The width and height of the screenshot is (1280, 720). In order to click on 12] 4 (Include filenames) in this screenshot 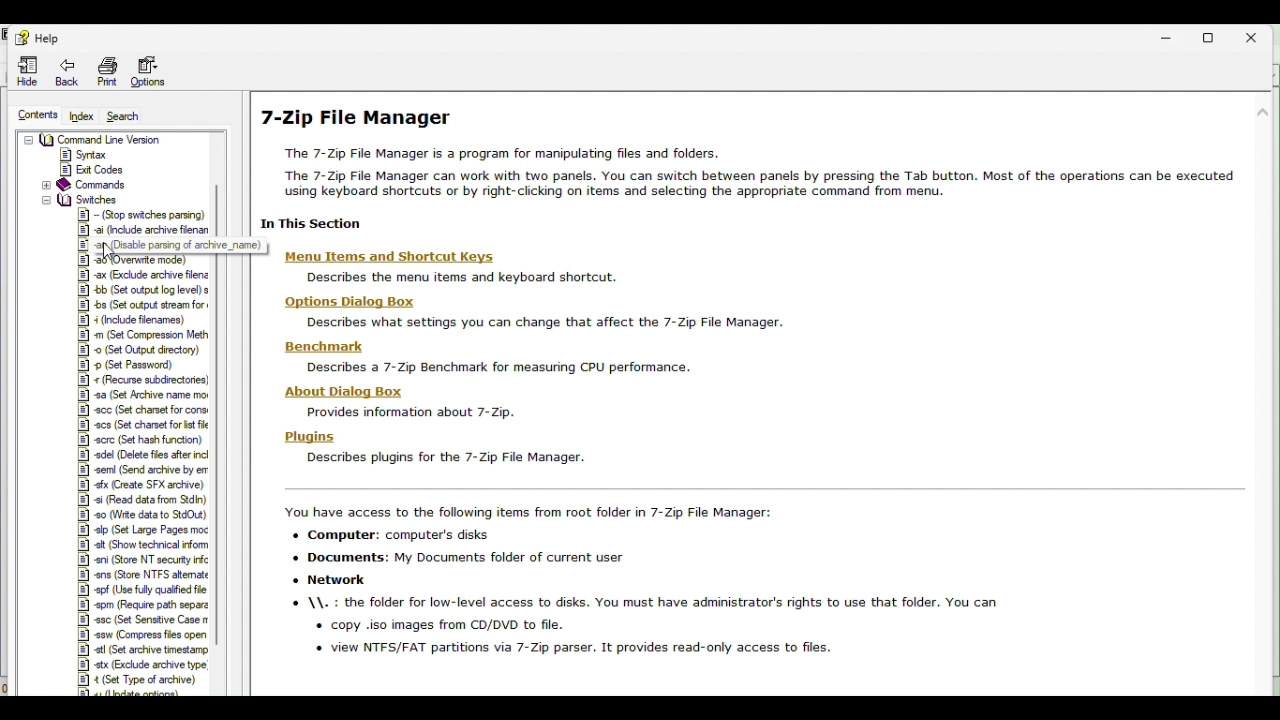, I will do `click(135, 319)`.